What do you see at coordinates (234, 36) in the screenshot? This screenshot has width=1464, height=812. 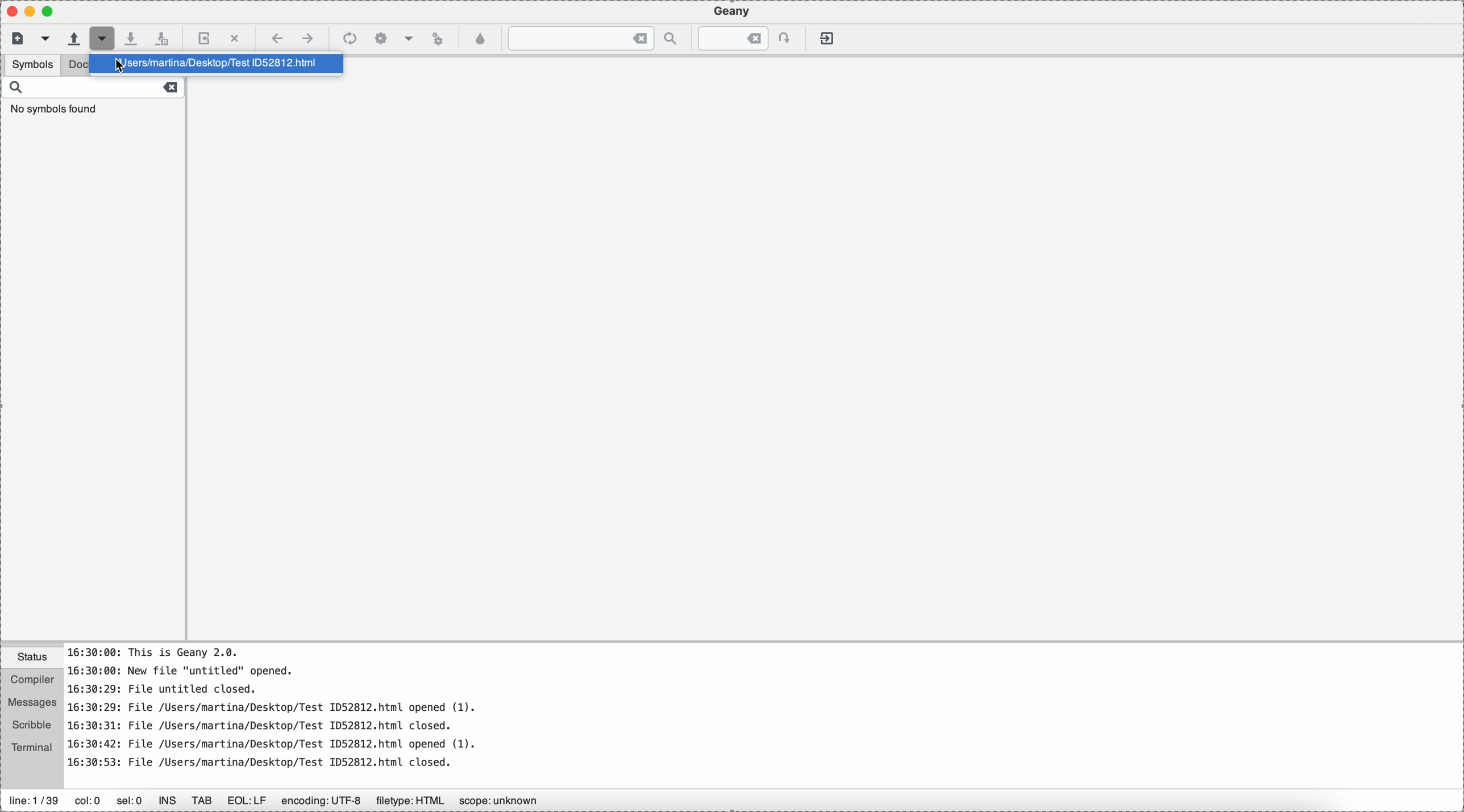 I see `close the current file` at bounding box center [234, 36].